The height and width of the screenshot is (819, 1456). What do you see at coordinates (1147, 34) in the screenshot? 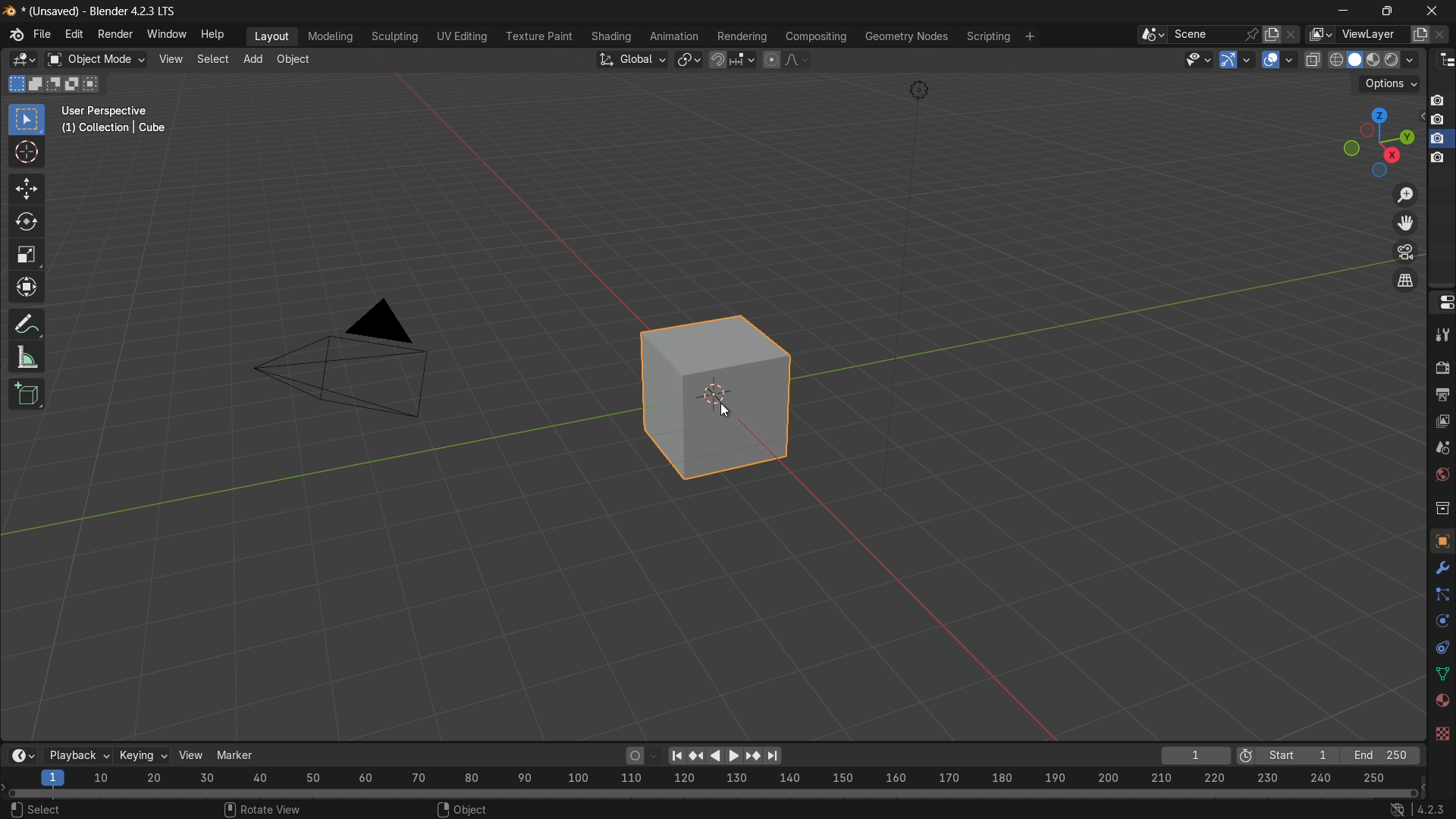
I see `link browse scene` at bounding box center [1147, 34].